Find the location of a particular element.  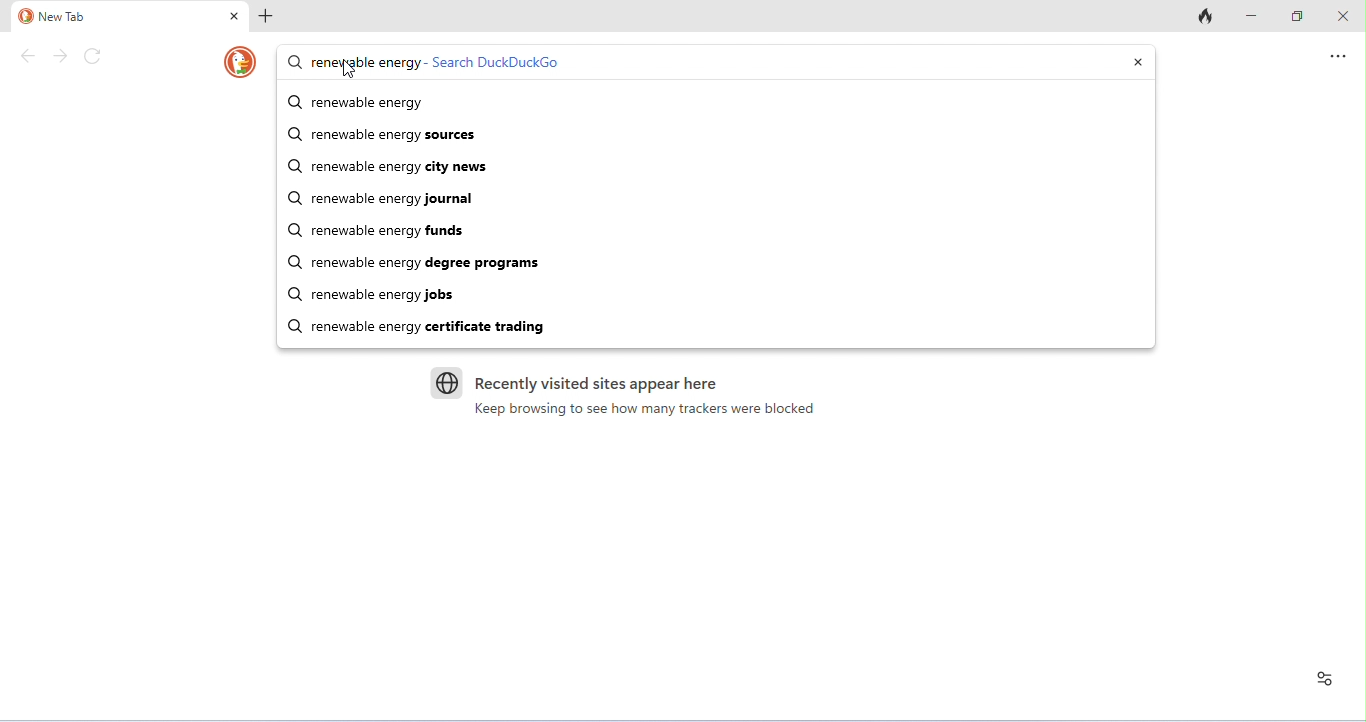

favorite and recent activity is located at coordinates (1325, 679).